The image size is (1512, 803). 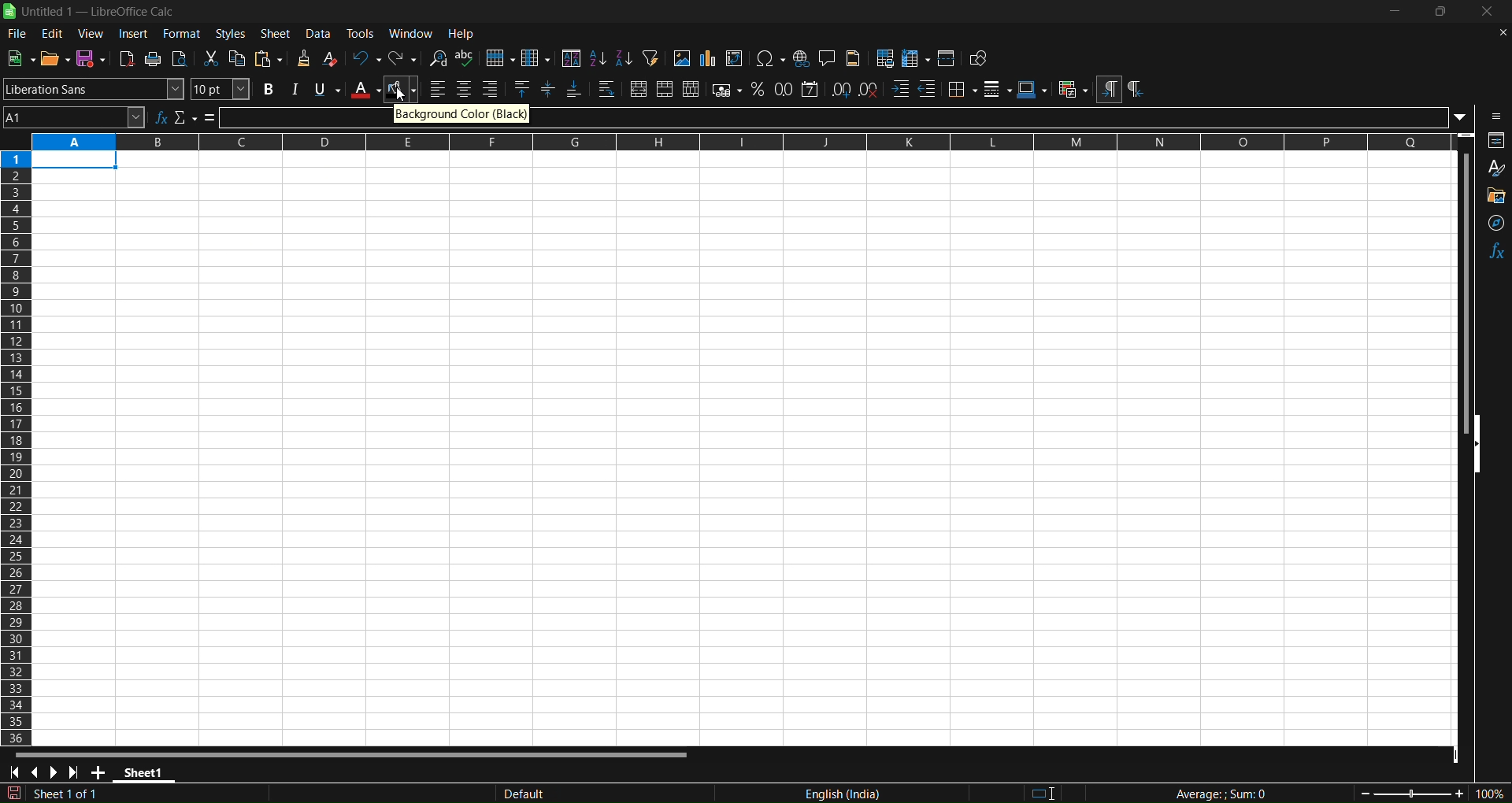 I want to click on sort ascending, so click(x=598, y=58).